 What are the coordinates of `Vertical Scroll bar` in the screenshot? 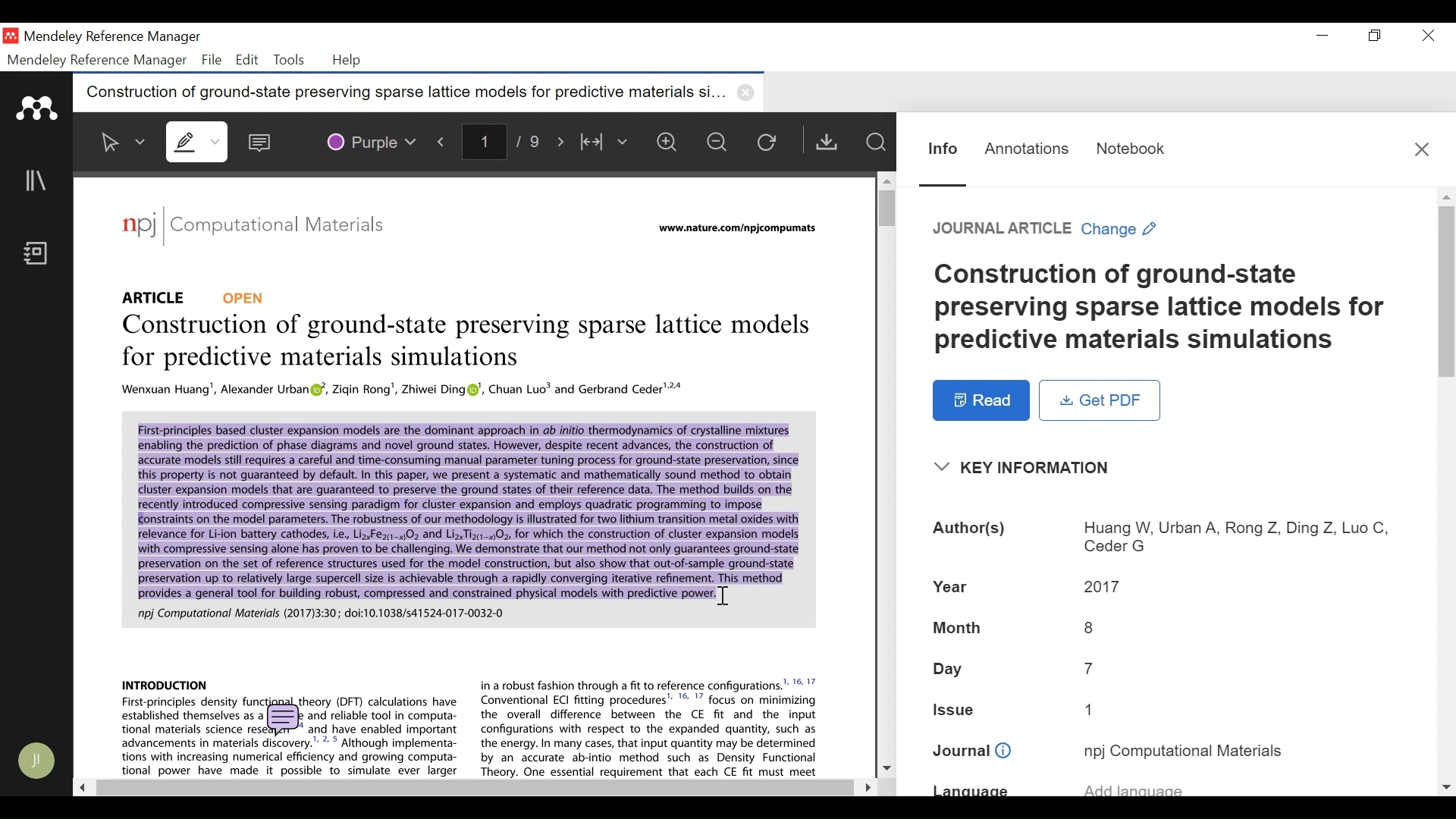 It's located at (1447, 290).